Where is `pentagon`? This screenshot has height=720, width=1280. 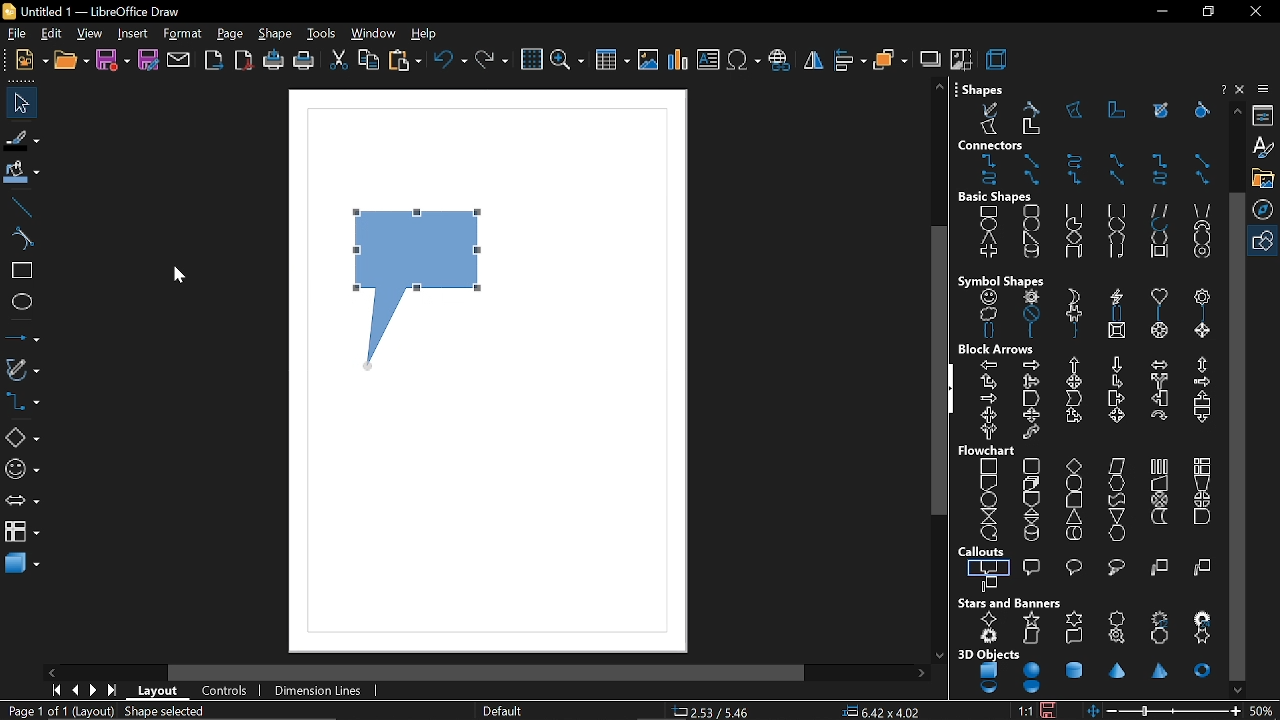
pentagon is located at coordinates (1116, 238).